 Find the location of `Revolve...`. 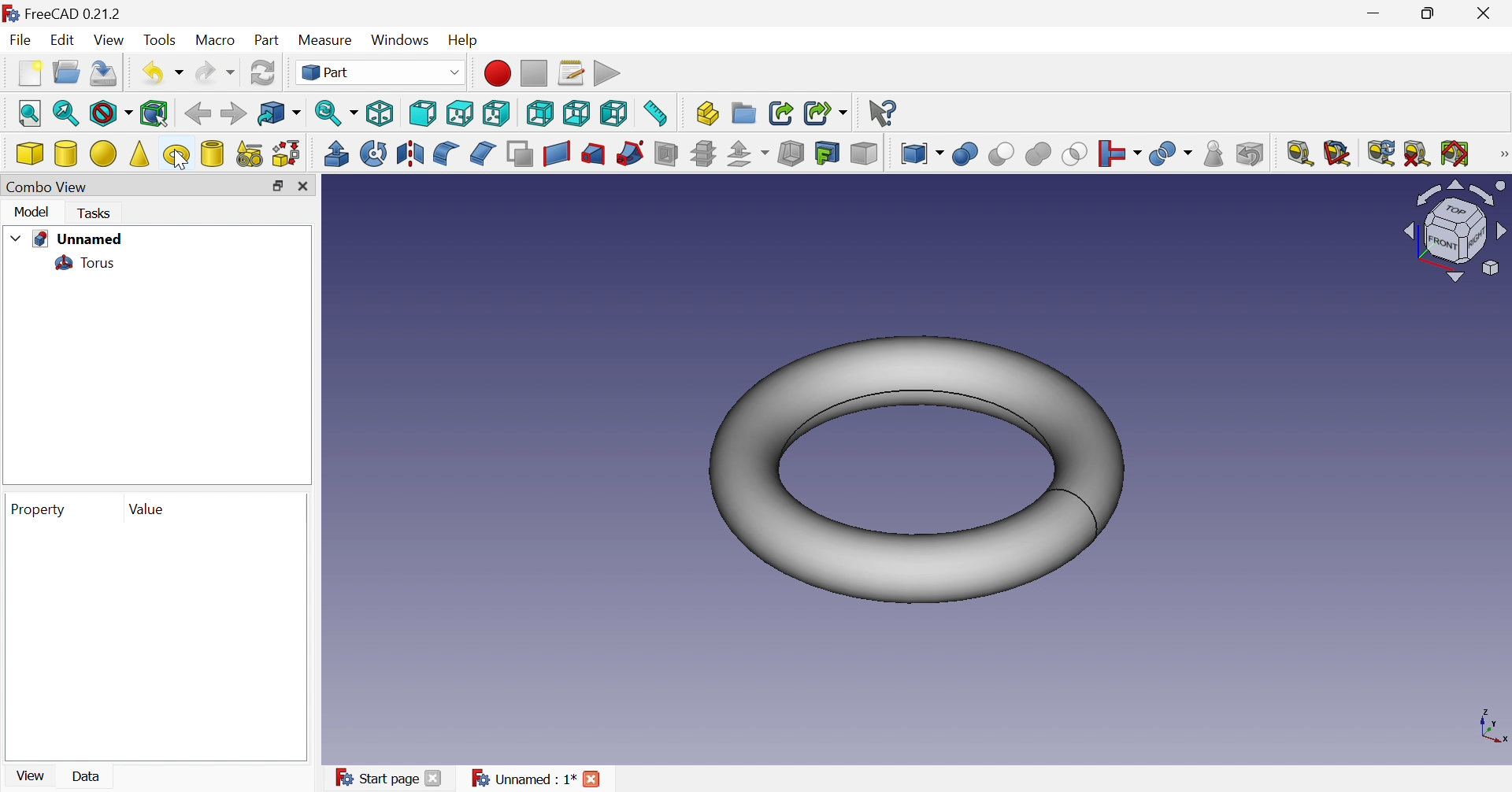

Revolve... is located at coordinates (372, 154).